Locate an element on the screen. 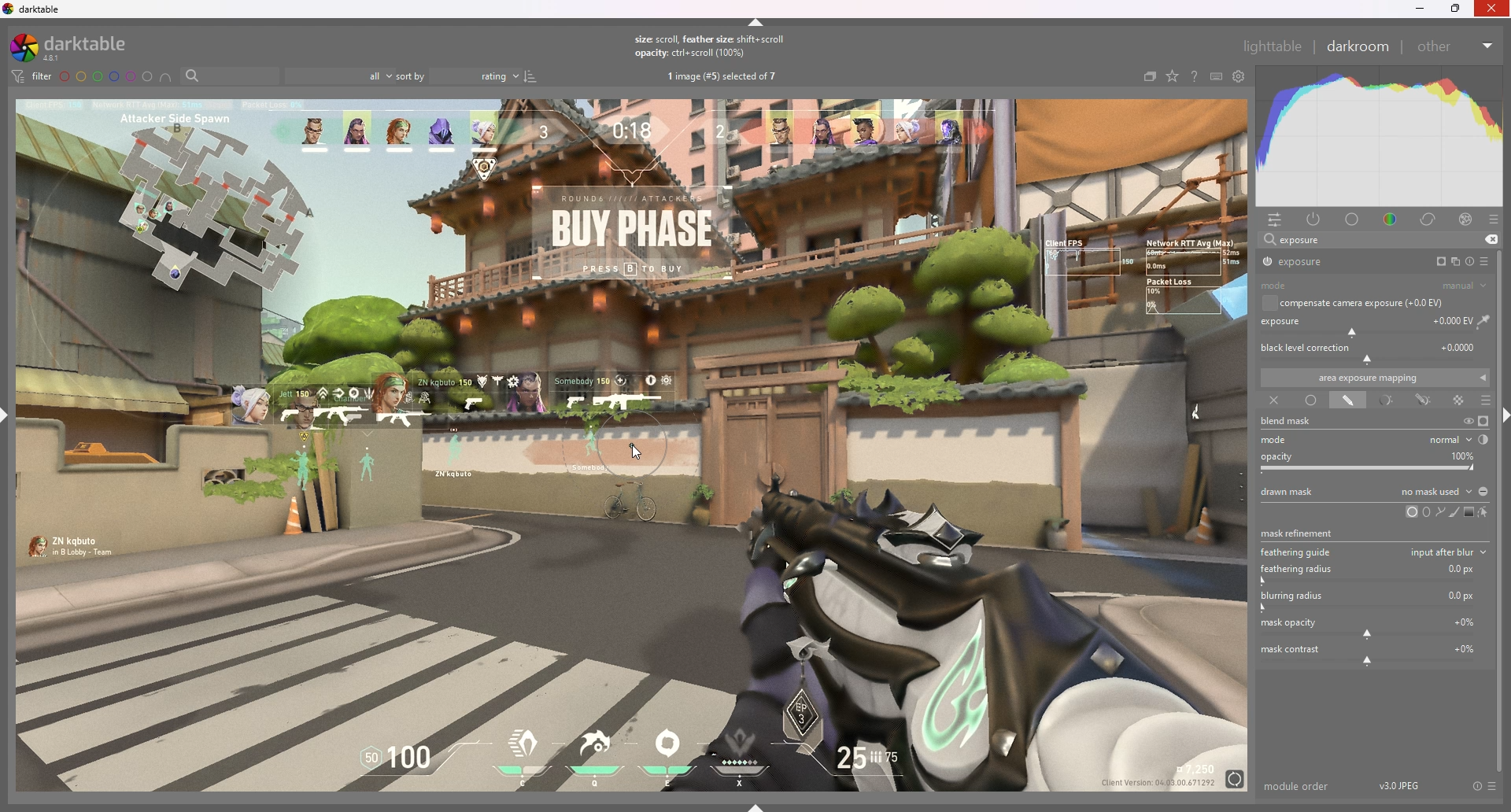  hide is located at coordinates (756, 23).